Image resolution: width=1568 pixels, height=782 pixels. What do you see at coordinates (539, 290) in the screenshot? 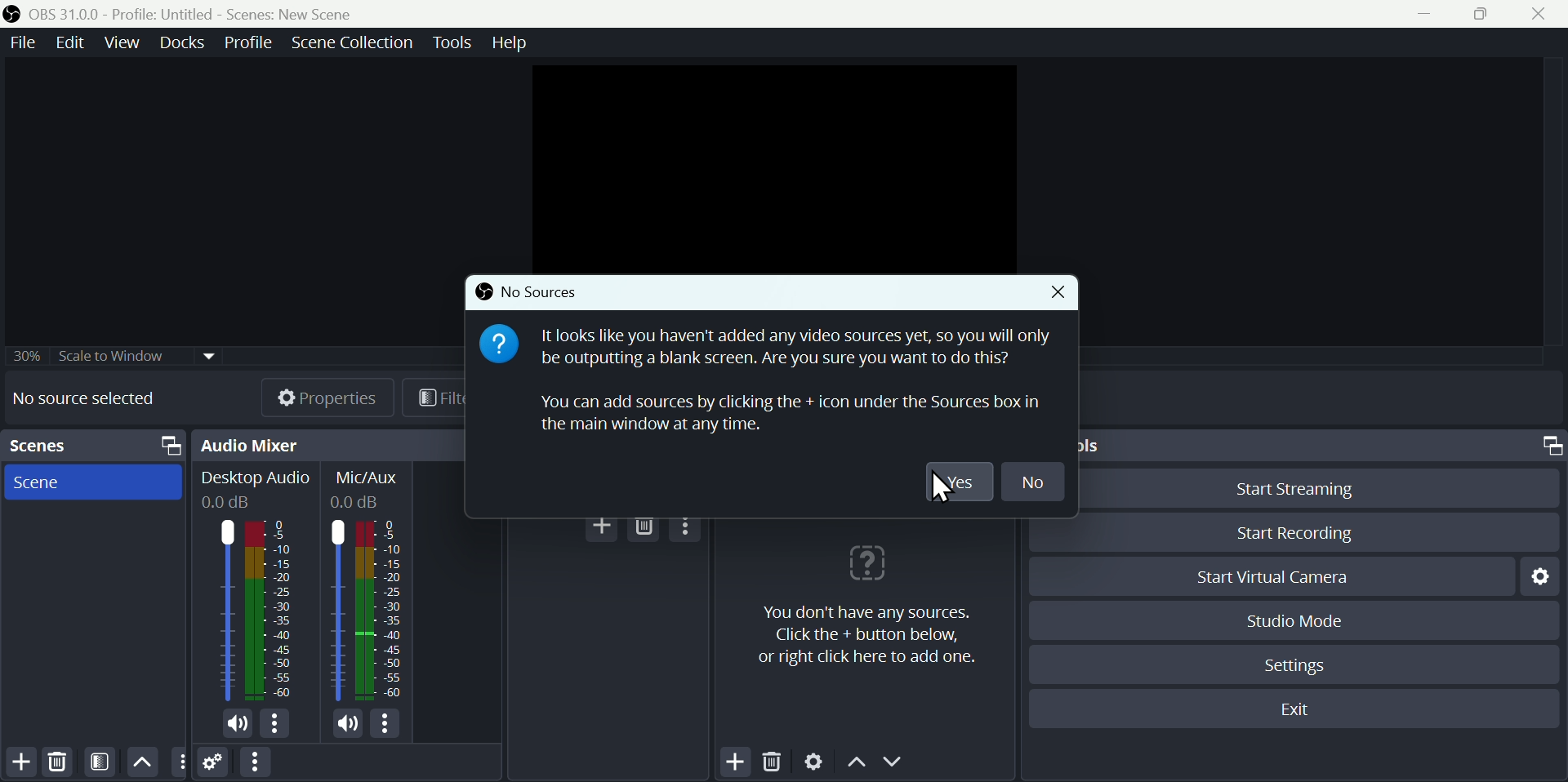
I see `No sources` at bounding box center [539, 290].